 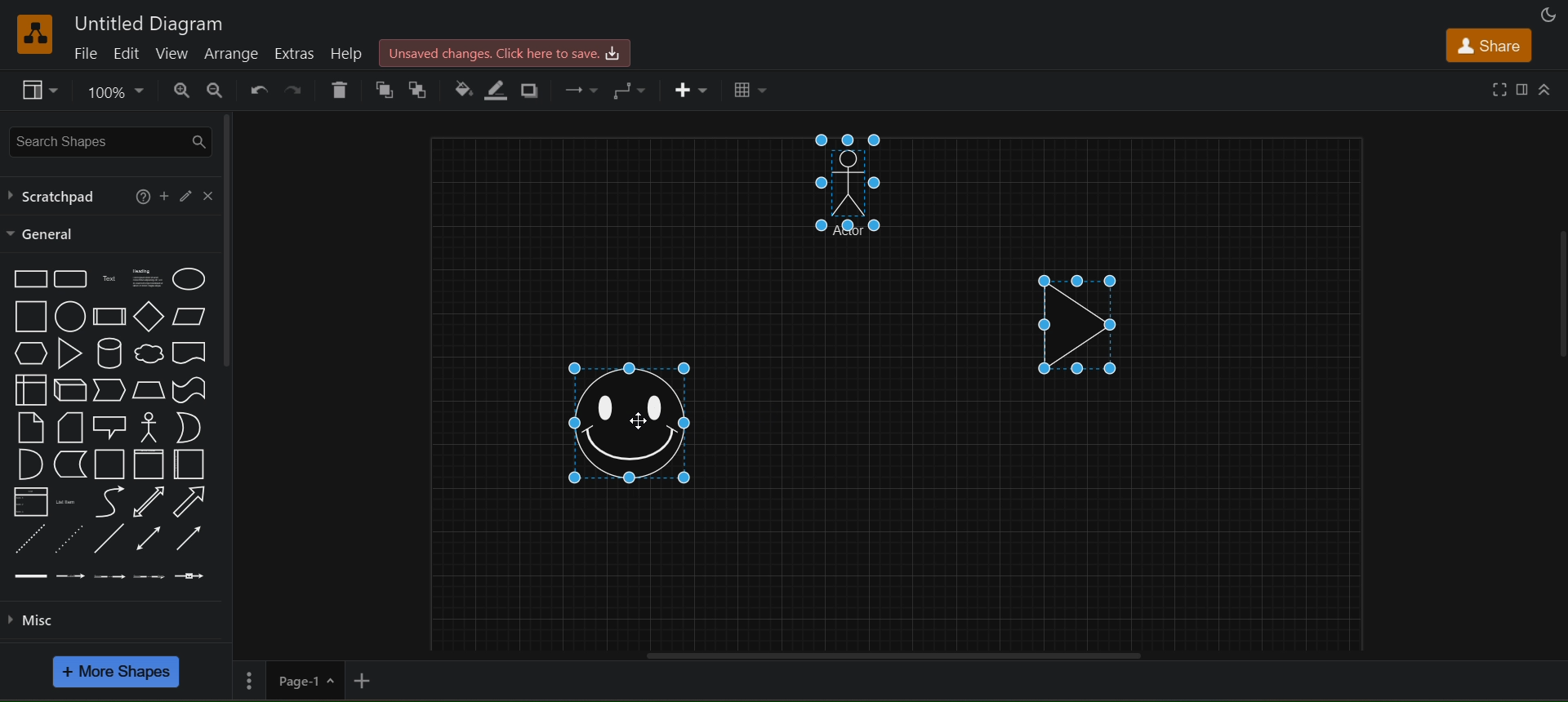 What do you see at coordinates (531, 87) in the screenshot?
I see `shadows` at bounding box center [531, 87].